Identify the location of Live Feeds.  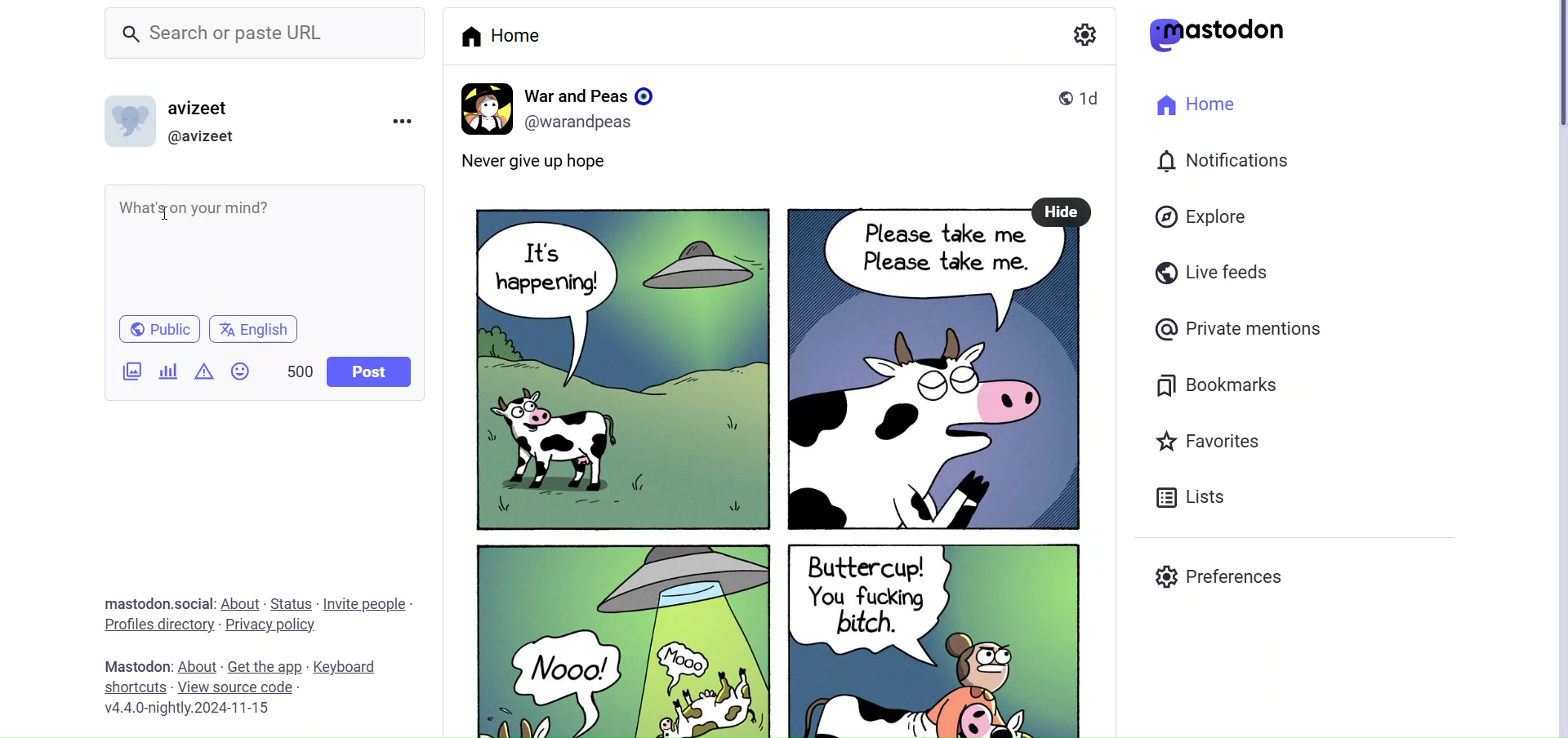
(1211, 273).